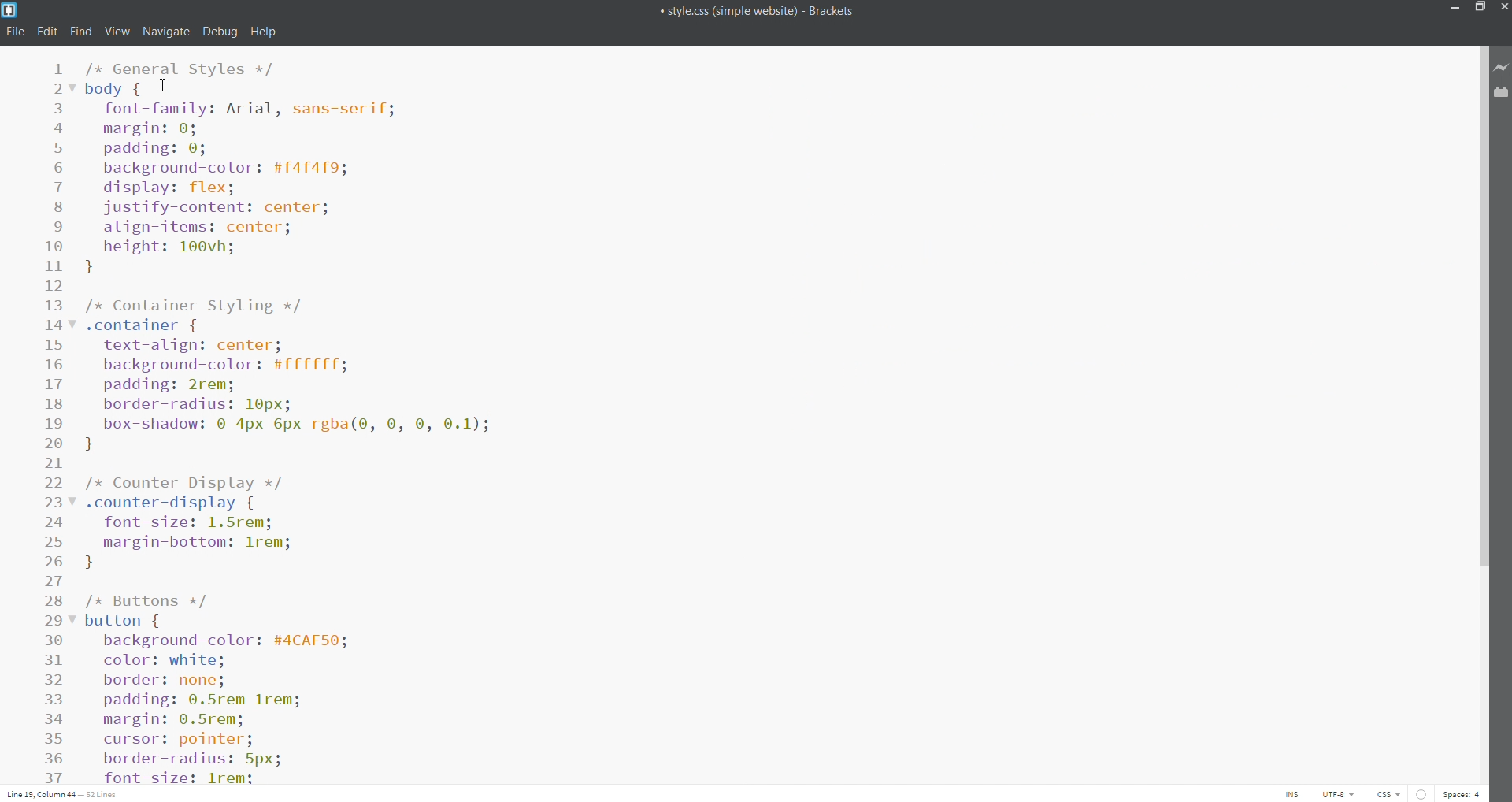 The height and width of the screenshot is (802, 1512). Describe the element at coordinates (47, 29) in the screenshot. I see `edit` at that location.